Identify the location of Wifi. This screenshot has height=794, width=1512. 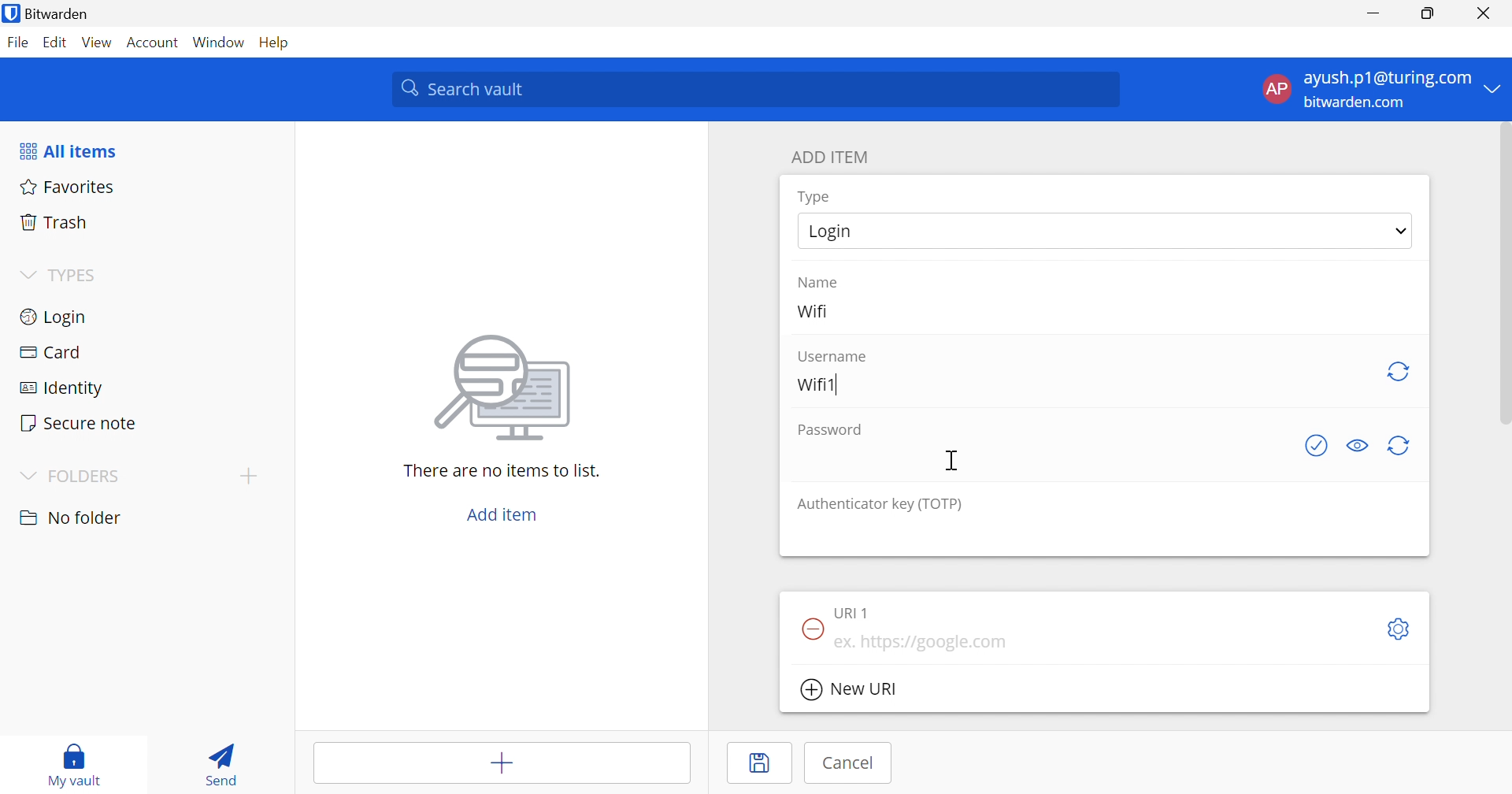
(811, 310).